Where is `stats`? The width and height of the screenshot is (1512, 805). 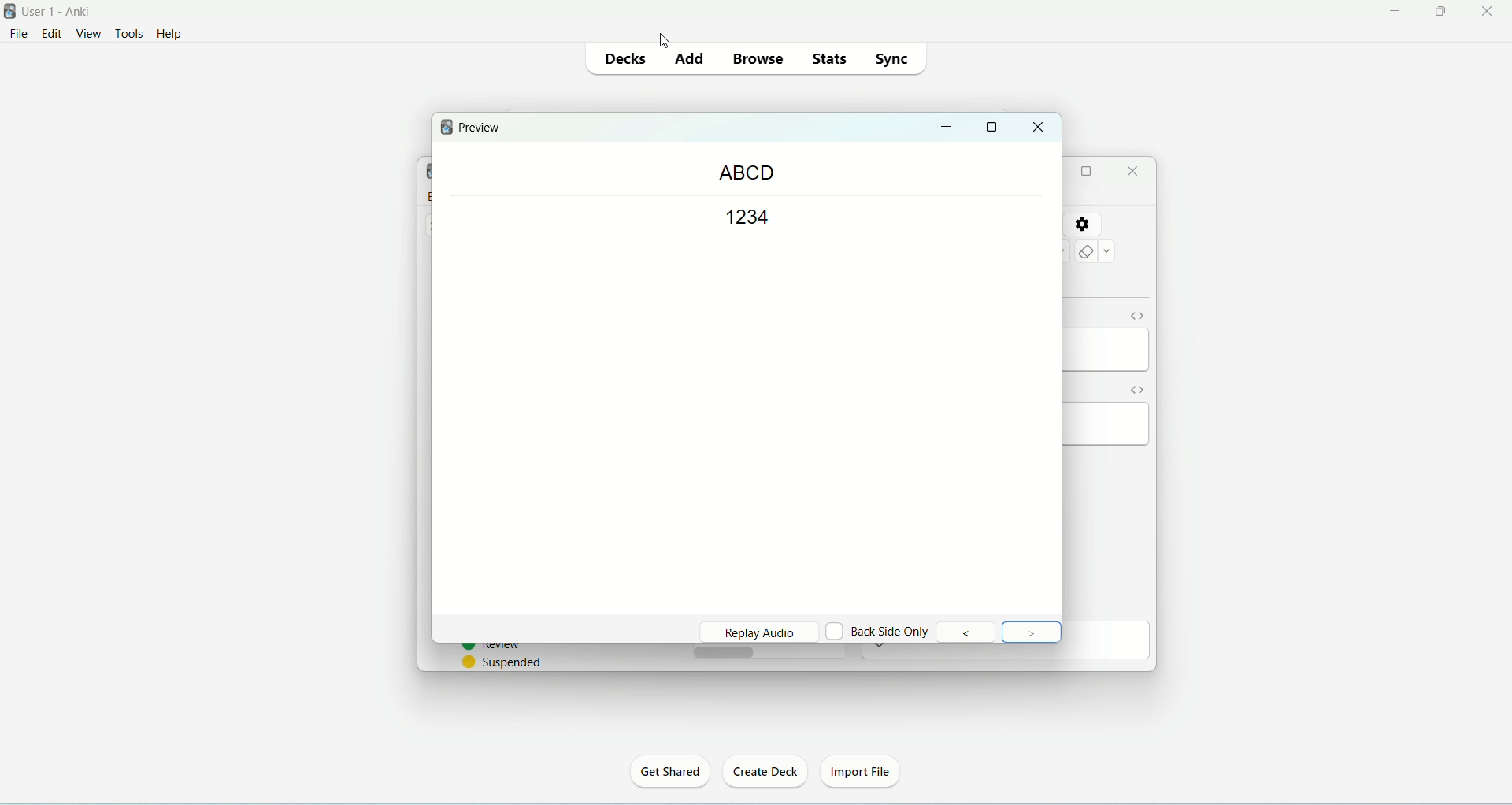
stats is located at coordinates (828, 58).